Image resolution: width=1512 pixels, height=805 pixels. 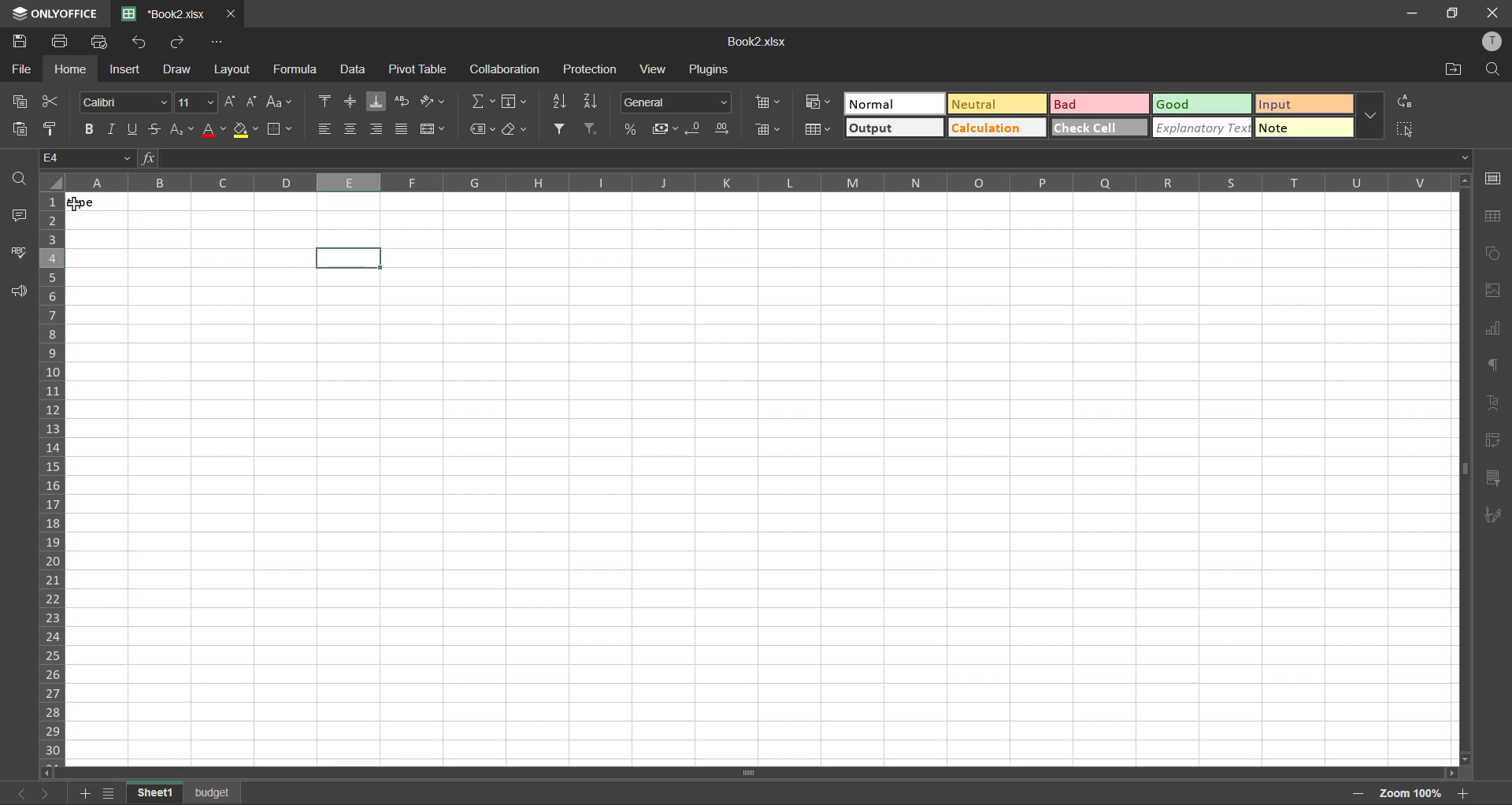 What do you see at coordinates (402, 101) in the screenshot?
I see `wrap text` at bounding box center [402, 101].